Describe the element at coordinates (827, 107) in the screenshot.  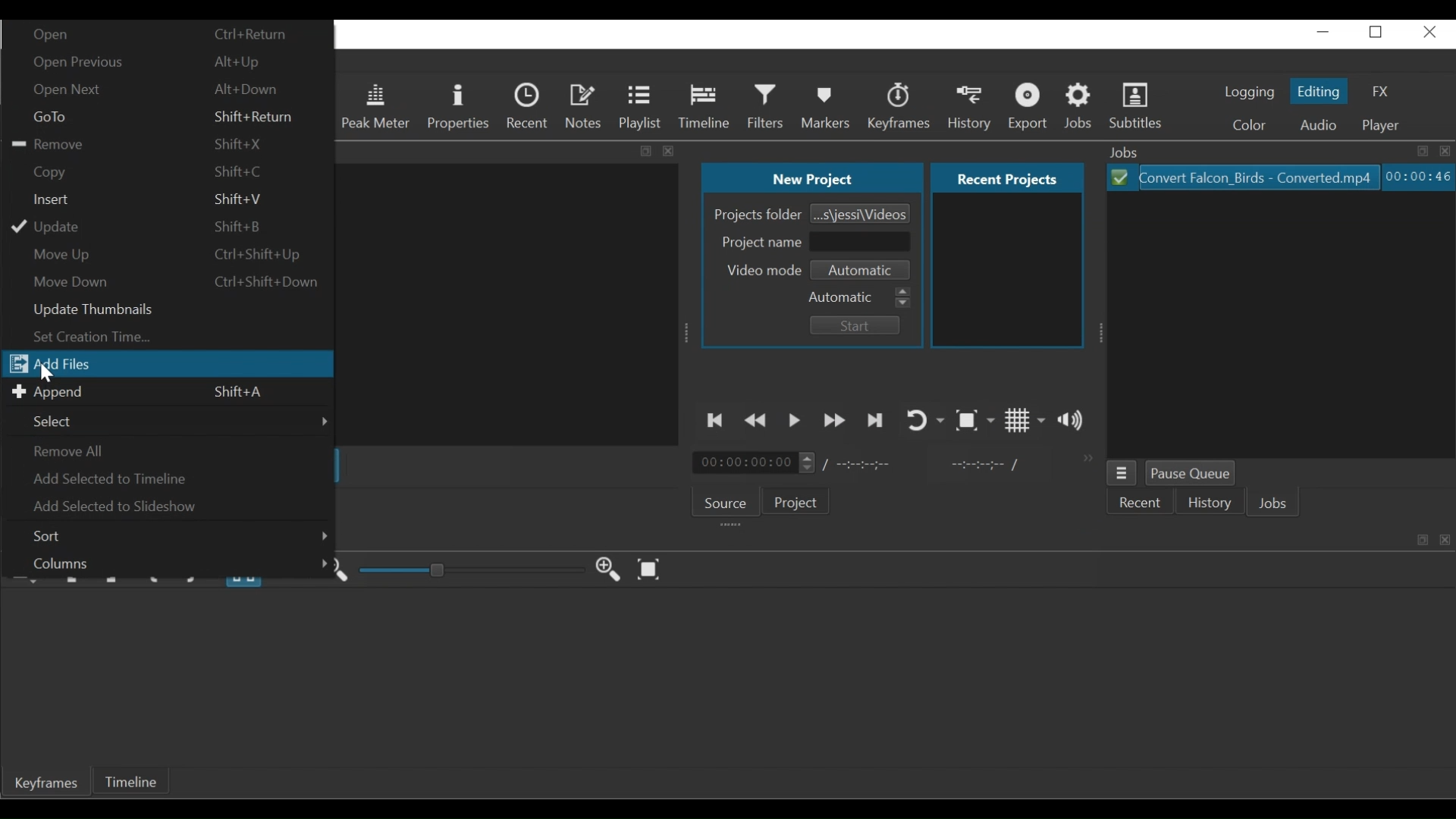
I see `Markers` at that location.